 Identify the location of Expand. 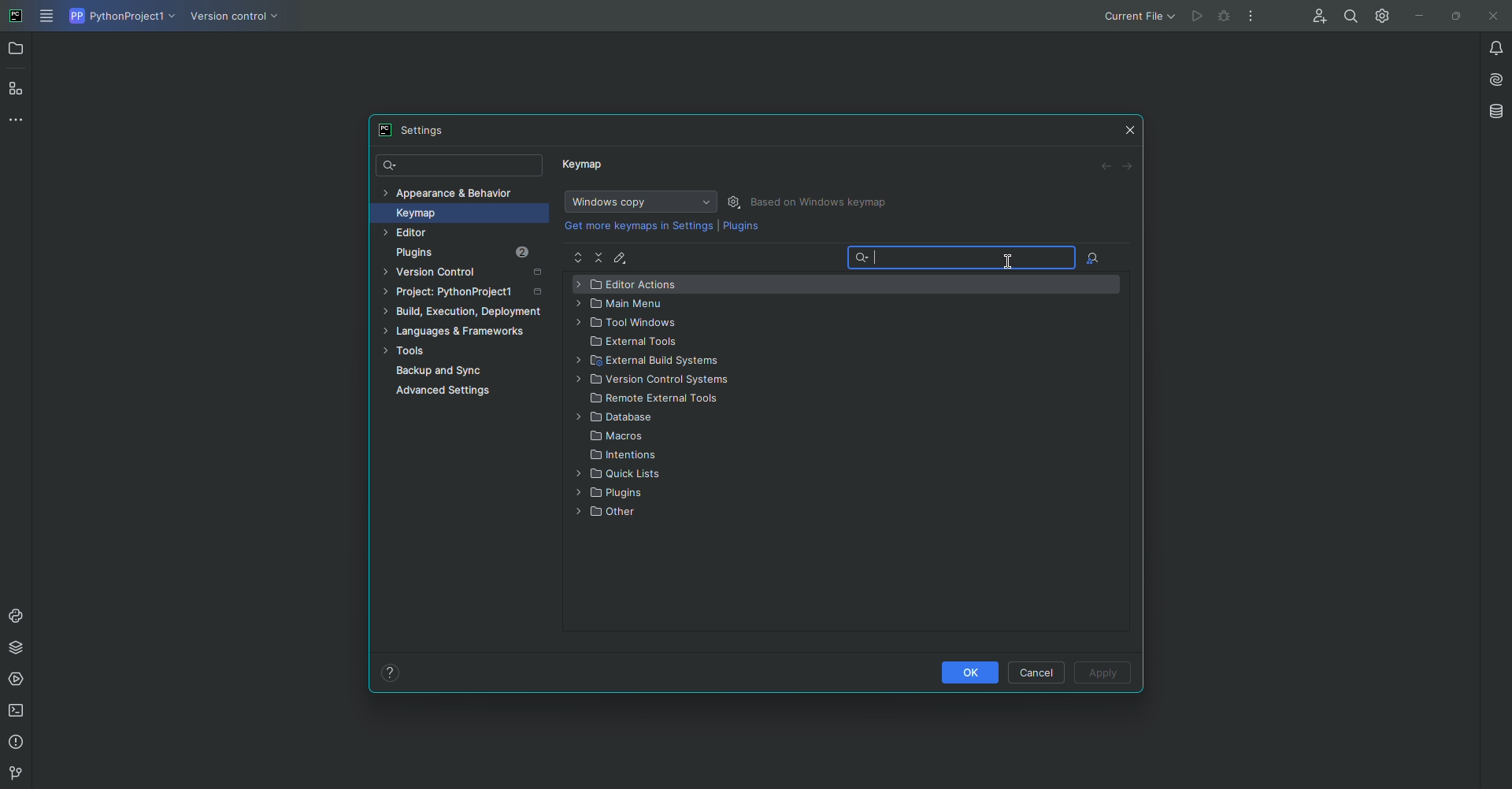
(578, 258).